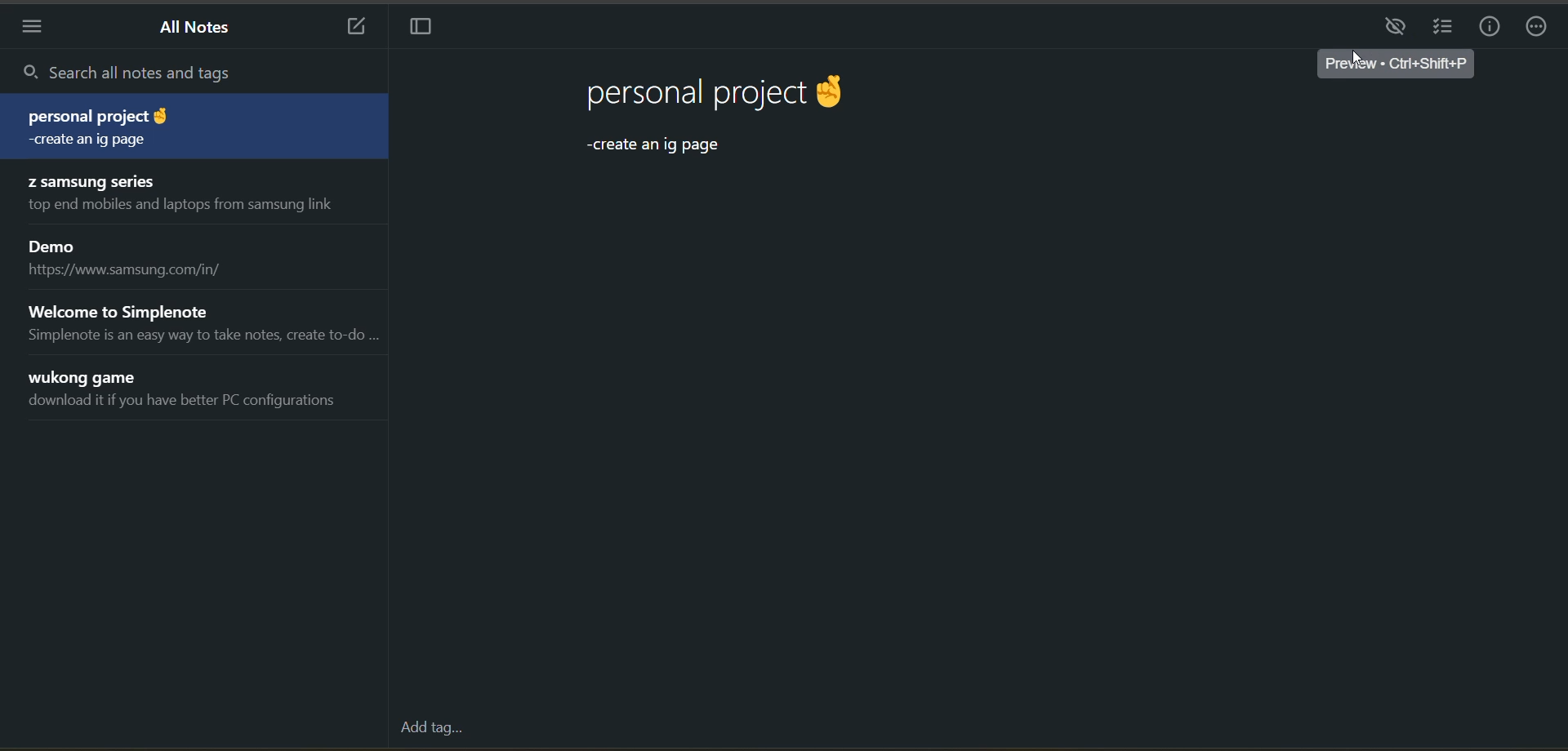  I want to click on note title and preview, so click(203, 323).